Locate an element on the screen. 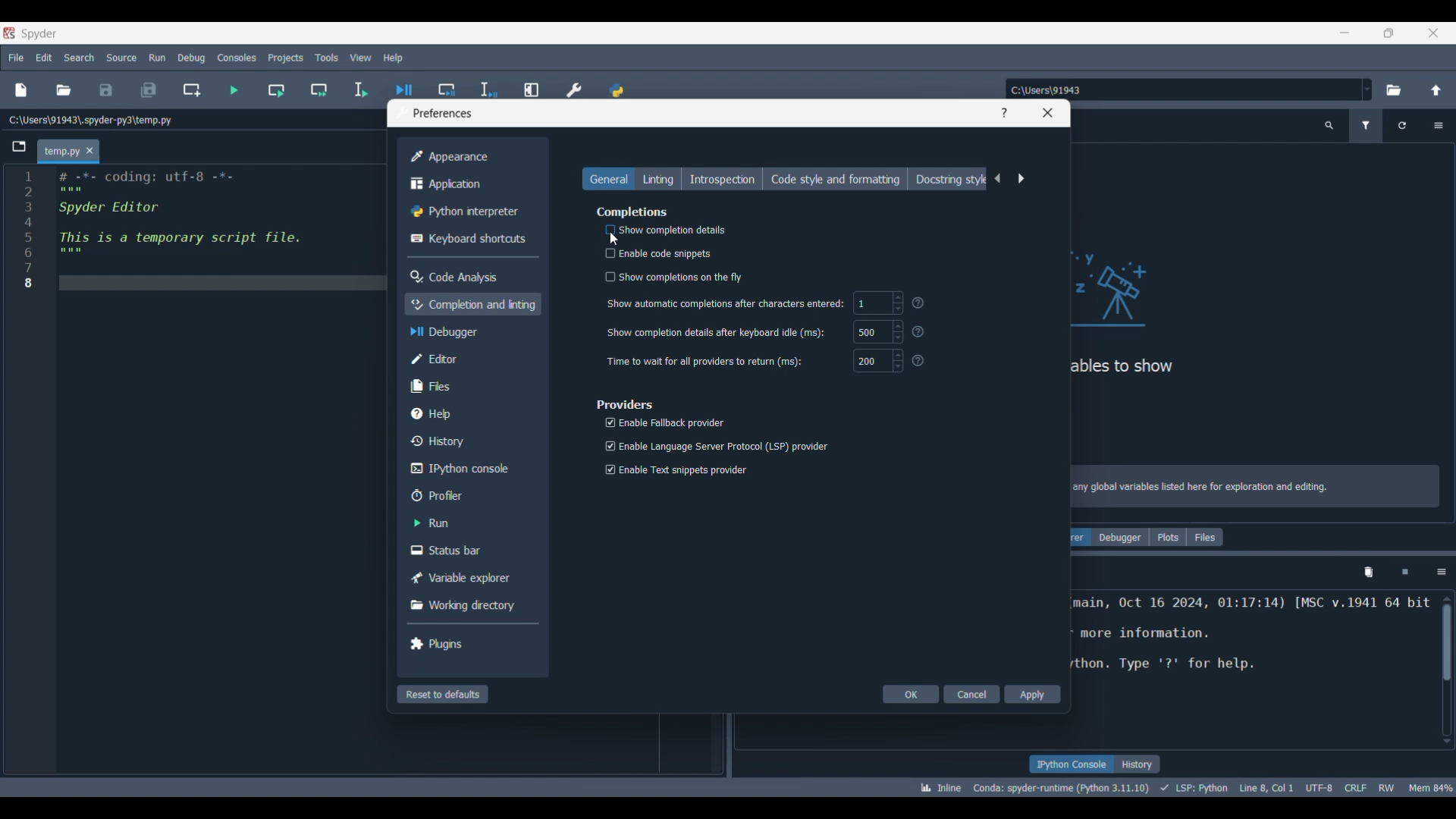 This screenshot has width=1456, height=819. Close is located at coordinates (1433, 33).